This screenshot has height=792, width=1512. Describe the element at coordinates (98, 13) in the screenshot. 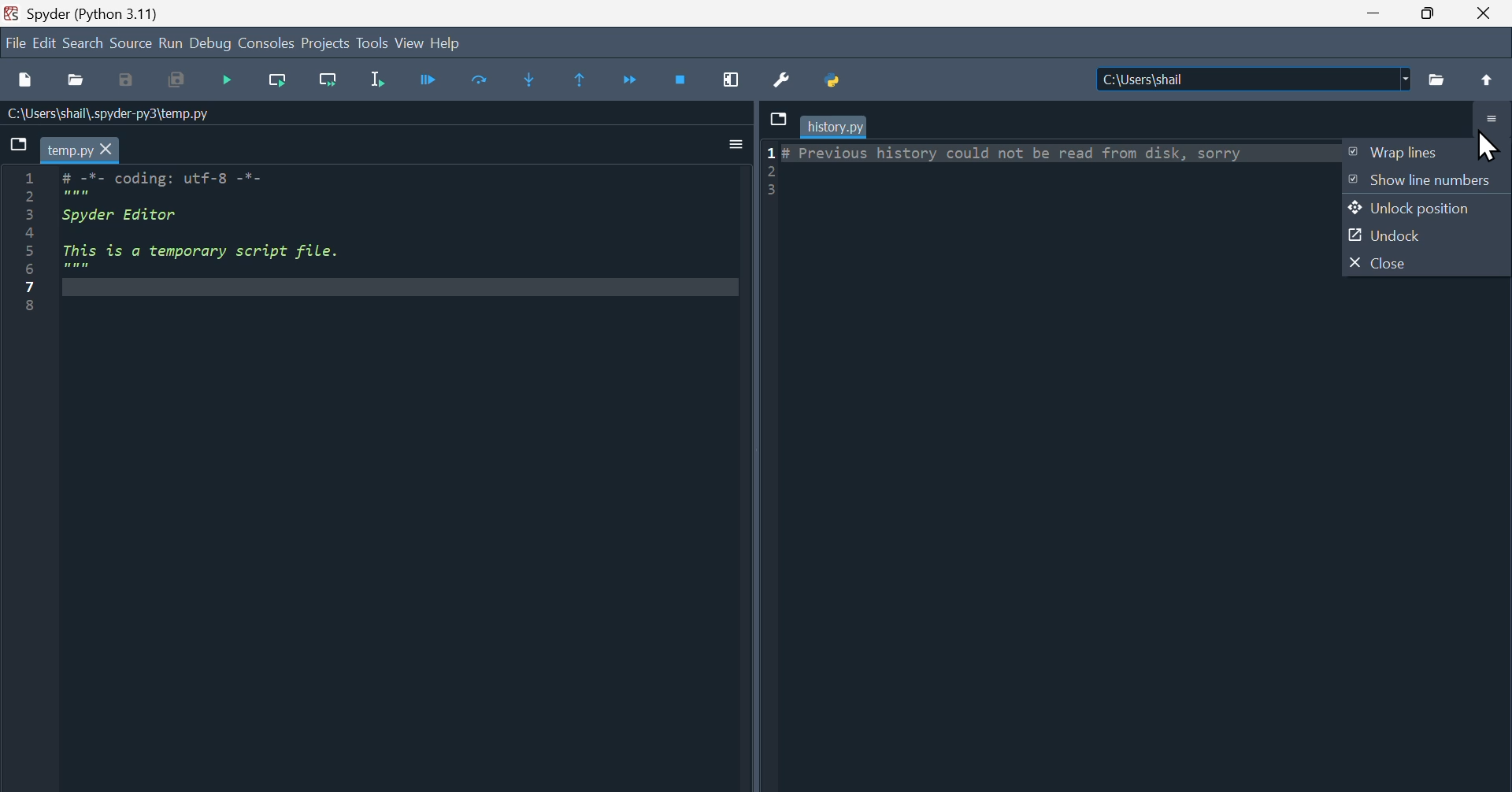

I see `Spyder (Python 3.11)` at that location.